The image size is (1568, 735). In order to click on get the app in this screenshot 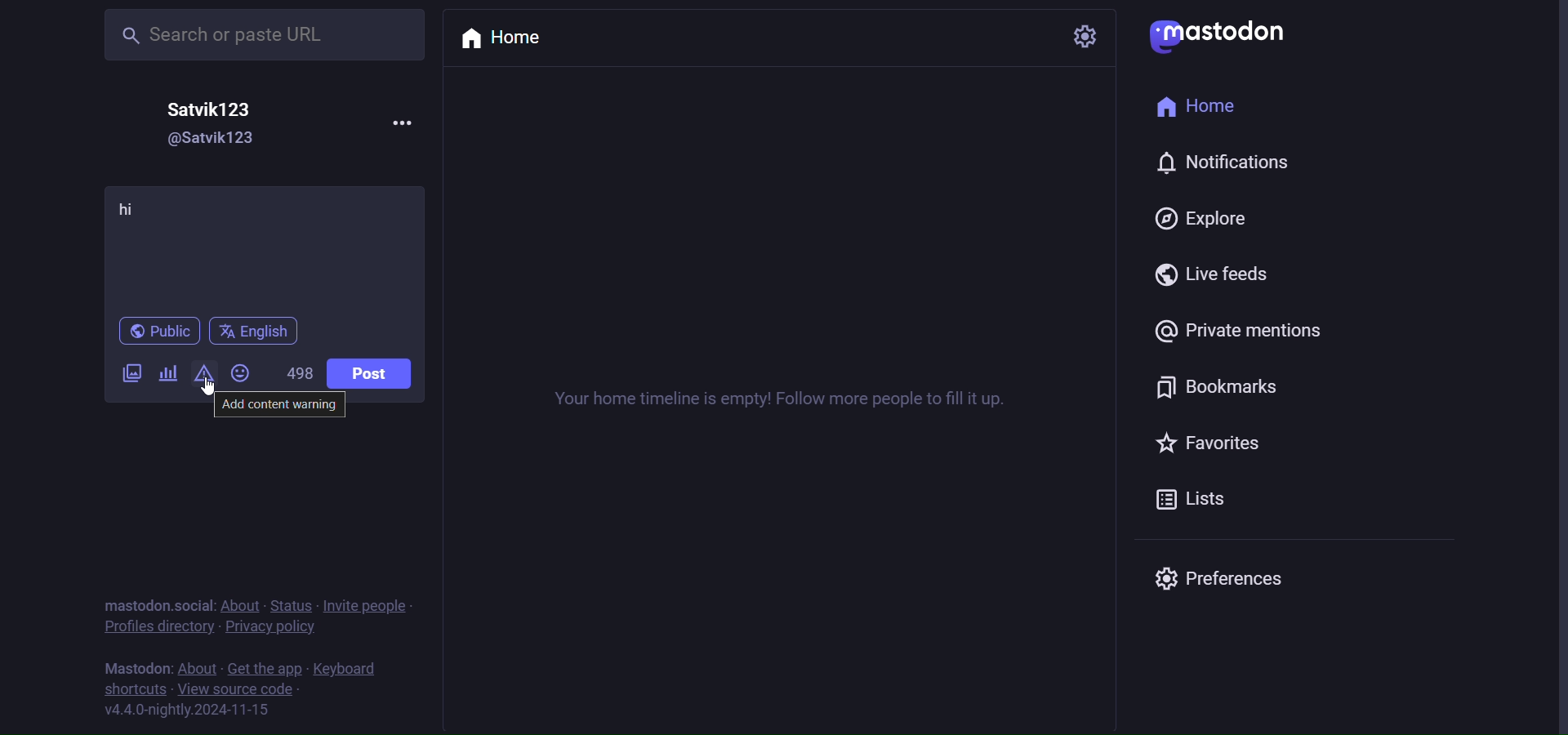, I will do `click(264, 669)`.